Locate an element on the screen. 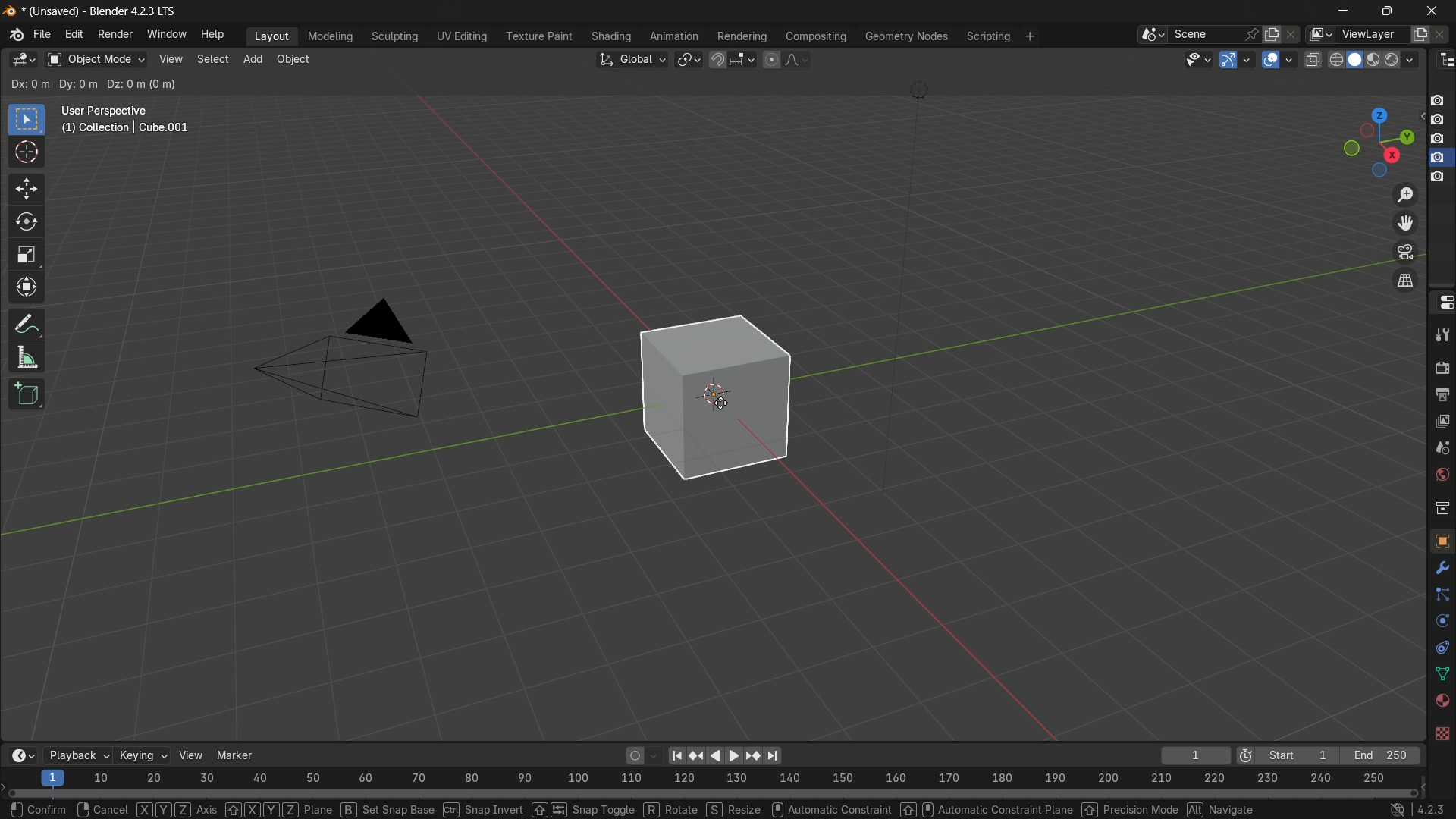  animation menu is located at coordinates (673, 34).